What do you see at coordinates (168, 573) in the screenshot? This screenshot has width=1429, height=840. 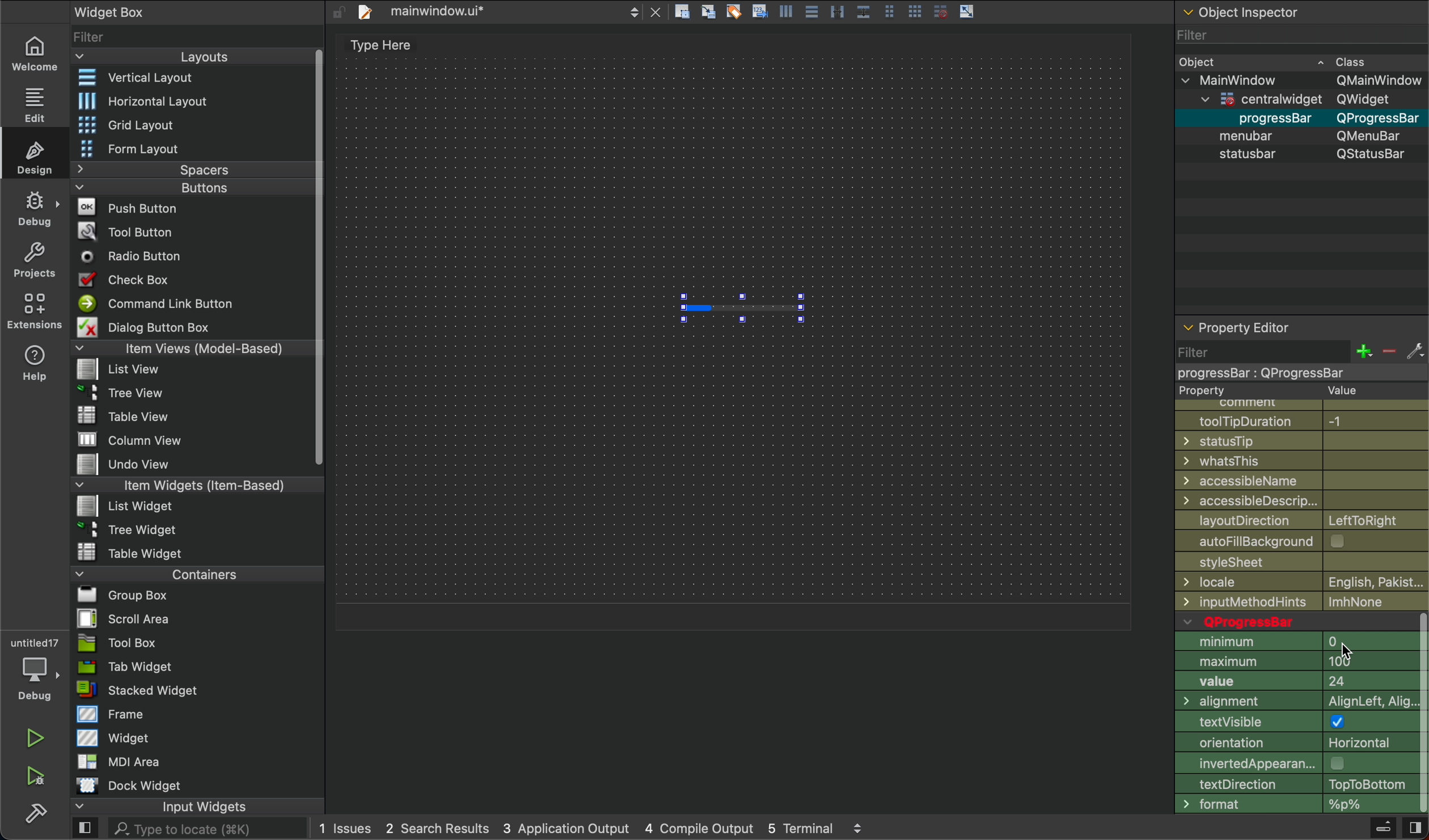 I see `Container` at bounding box center [168, 573].